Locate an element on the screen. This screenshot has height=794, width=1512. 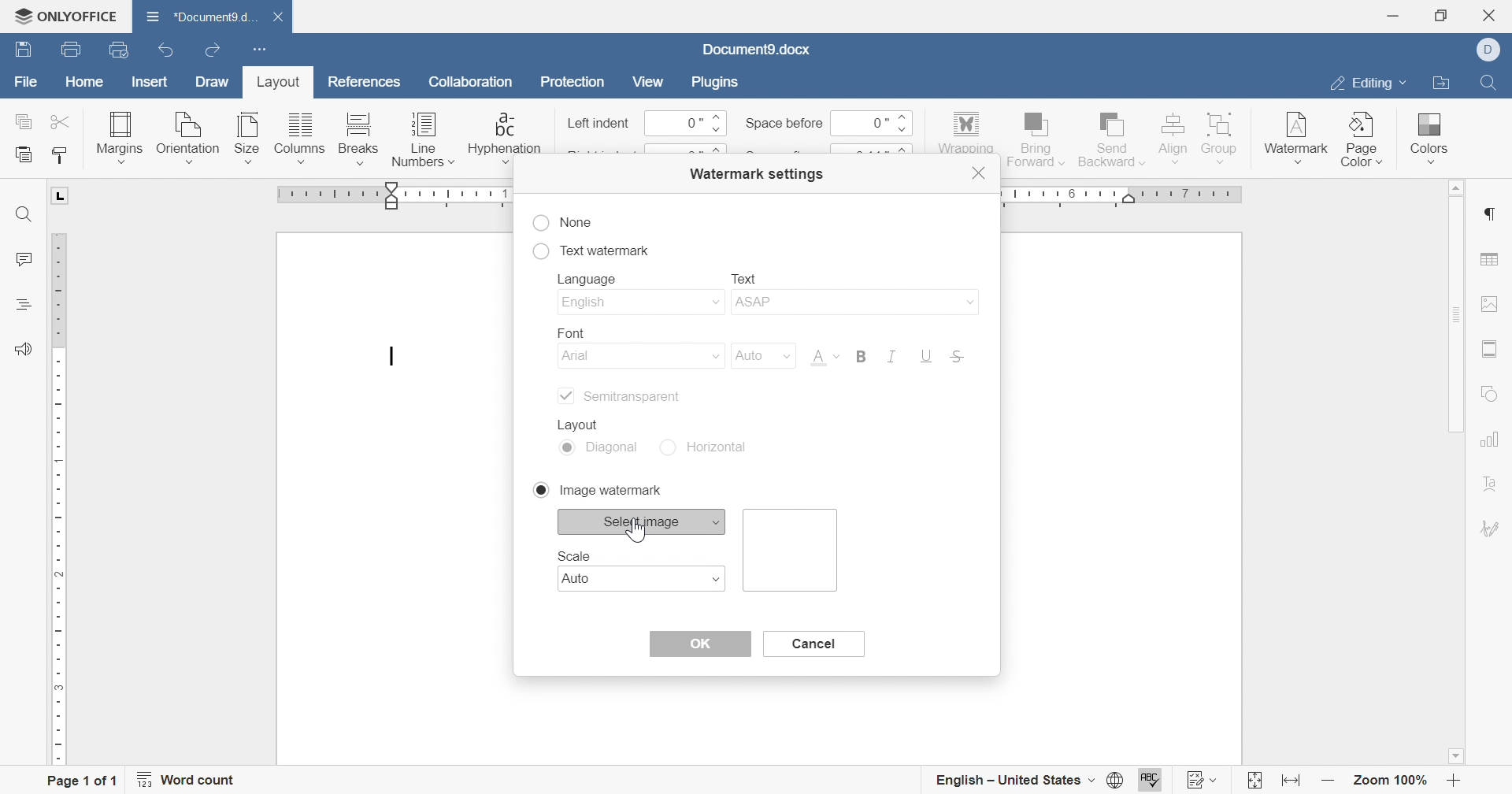
copy is located at coordinates (24, 121).